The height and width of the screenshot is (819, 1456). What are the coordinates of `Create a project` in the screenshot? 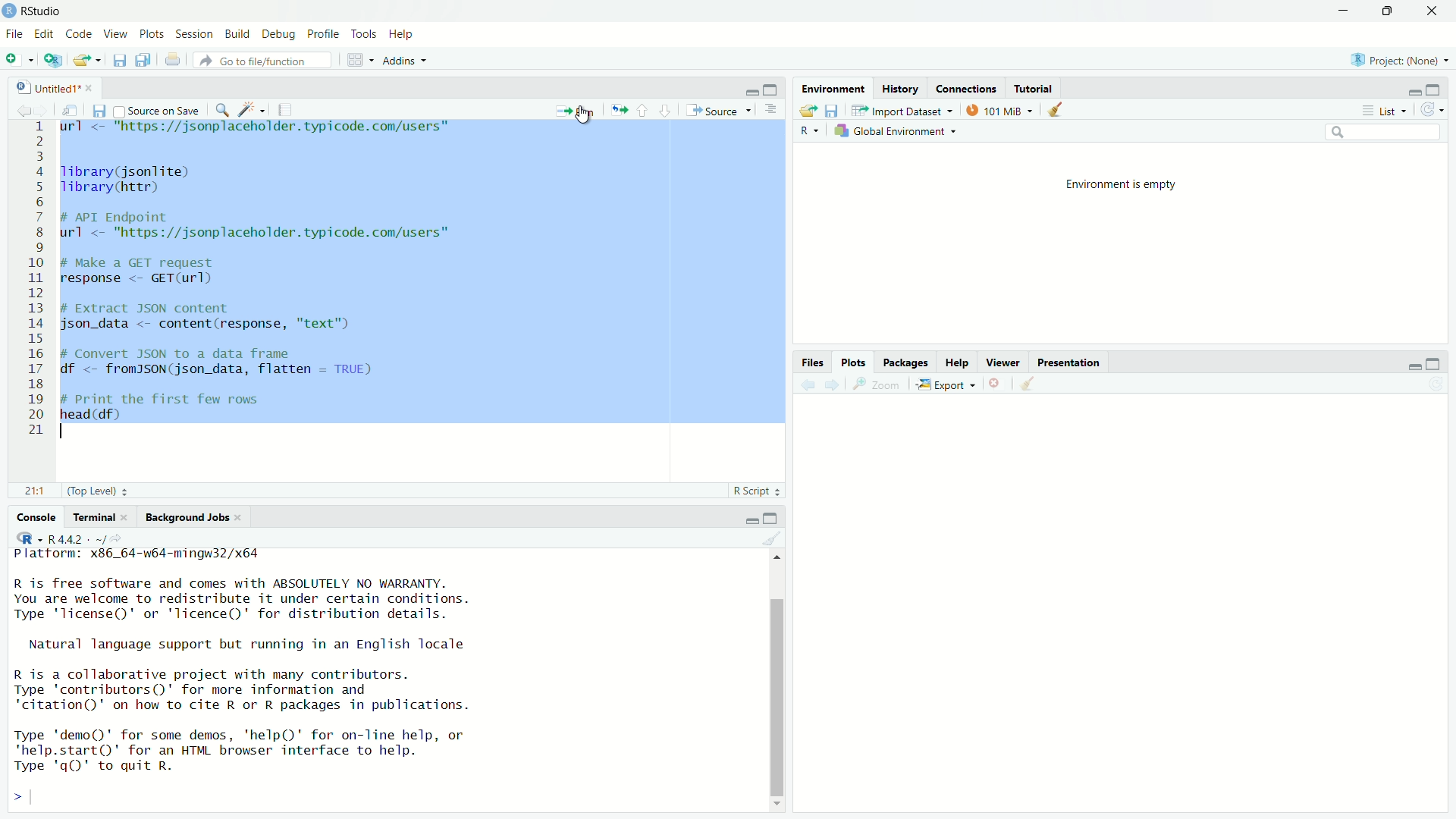 It's located at (51, 60).